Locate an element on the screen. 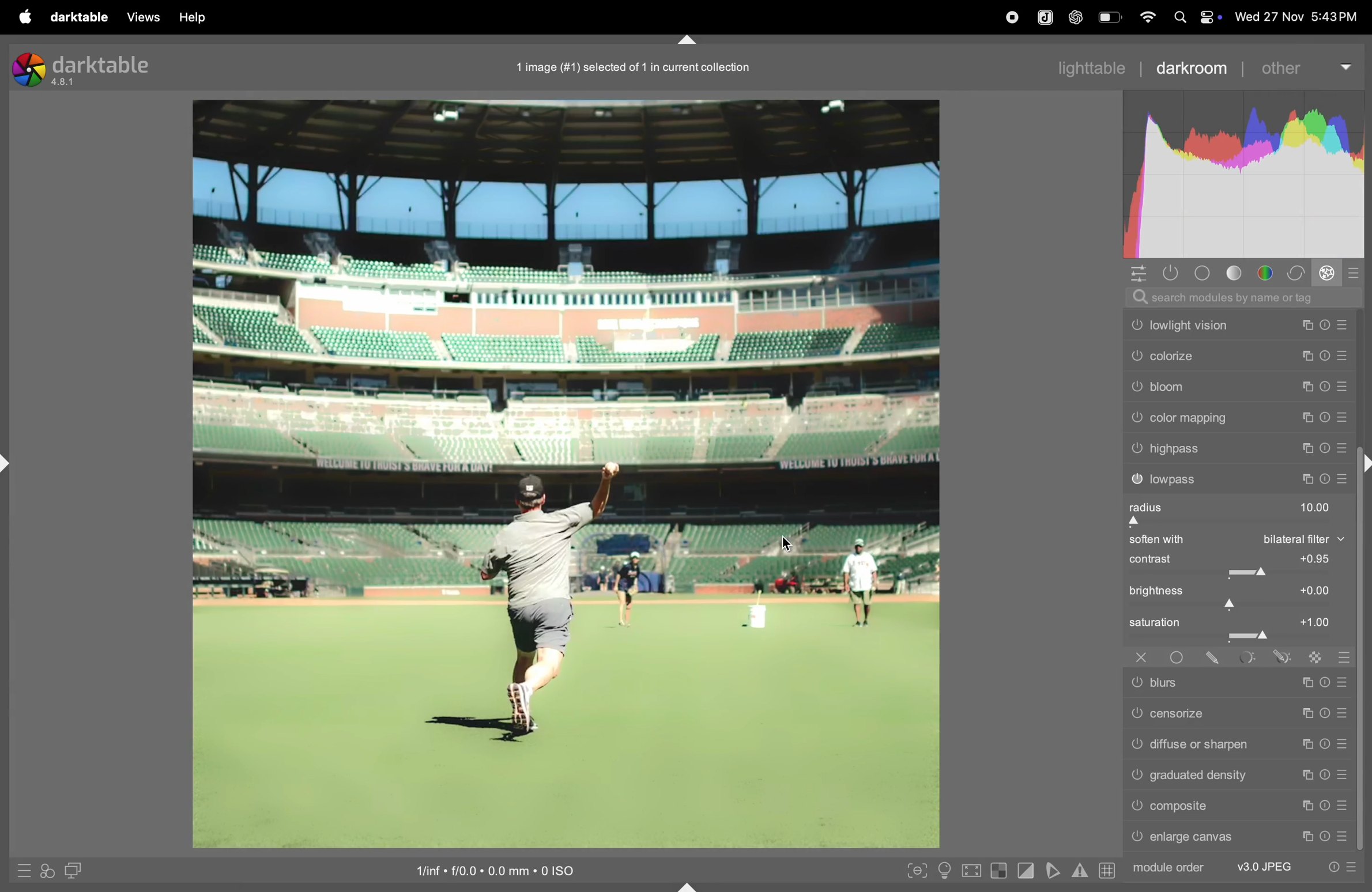 This screenshot has height=892, width=1372. base is located at coordinates (1203, 273).